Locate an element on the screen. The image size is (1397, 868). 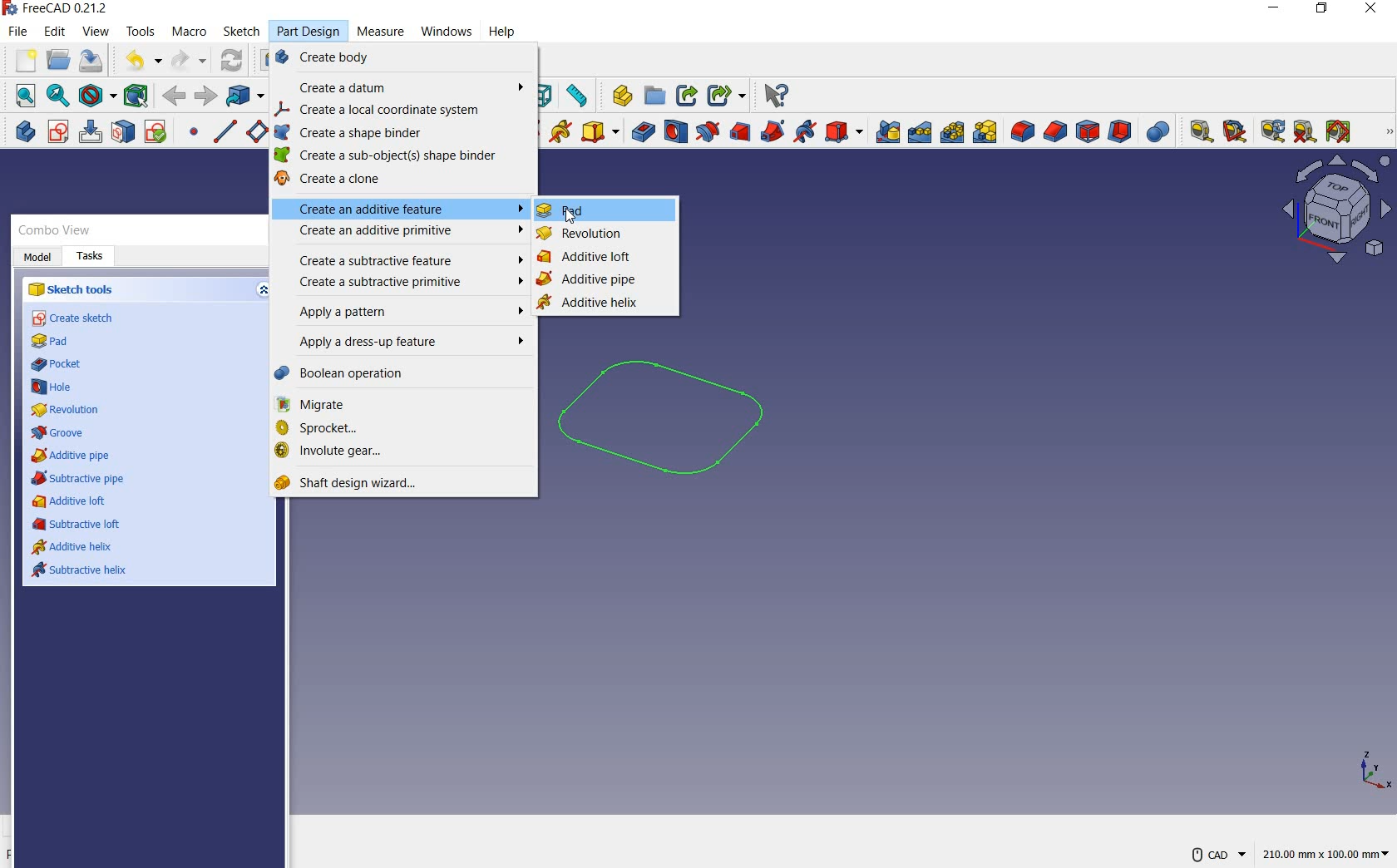
new is located at coordinates (21, 59).